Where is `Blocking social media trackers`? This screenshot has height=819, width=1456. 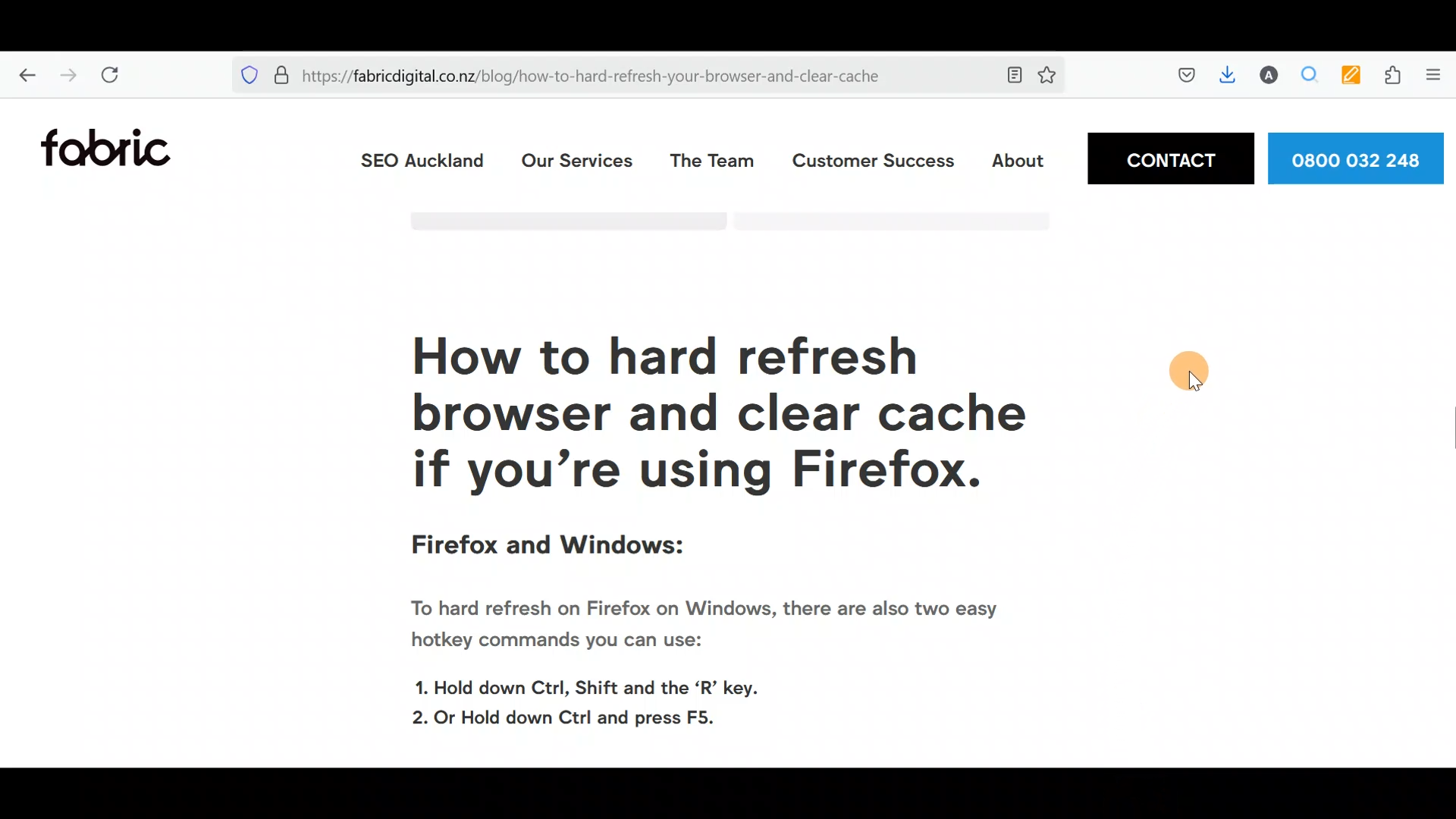 Blocking social media trackers is located at coordinates (243, 75).